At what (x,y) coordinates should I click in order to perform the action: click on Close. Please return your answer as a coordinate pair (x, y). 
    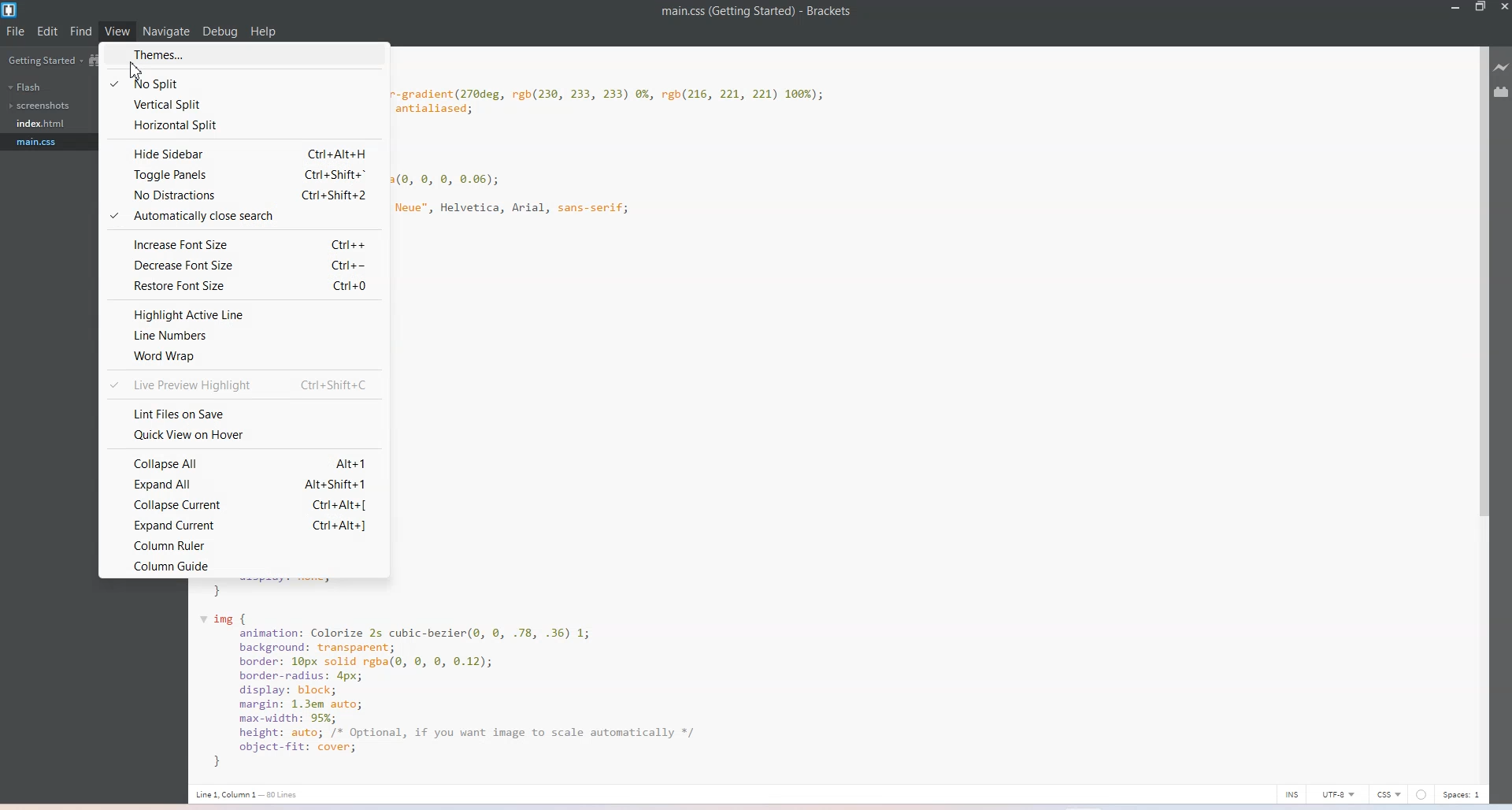
    Looking at the image, I should click on (1503, 8).